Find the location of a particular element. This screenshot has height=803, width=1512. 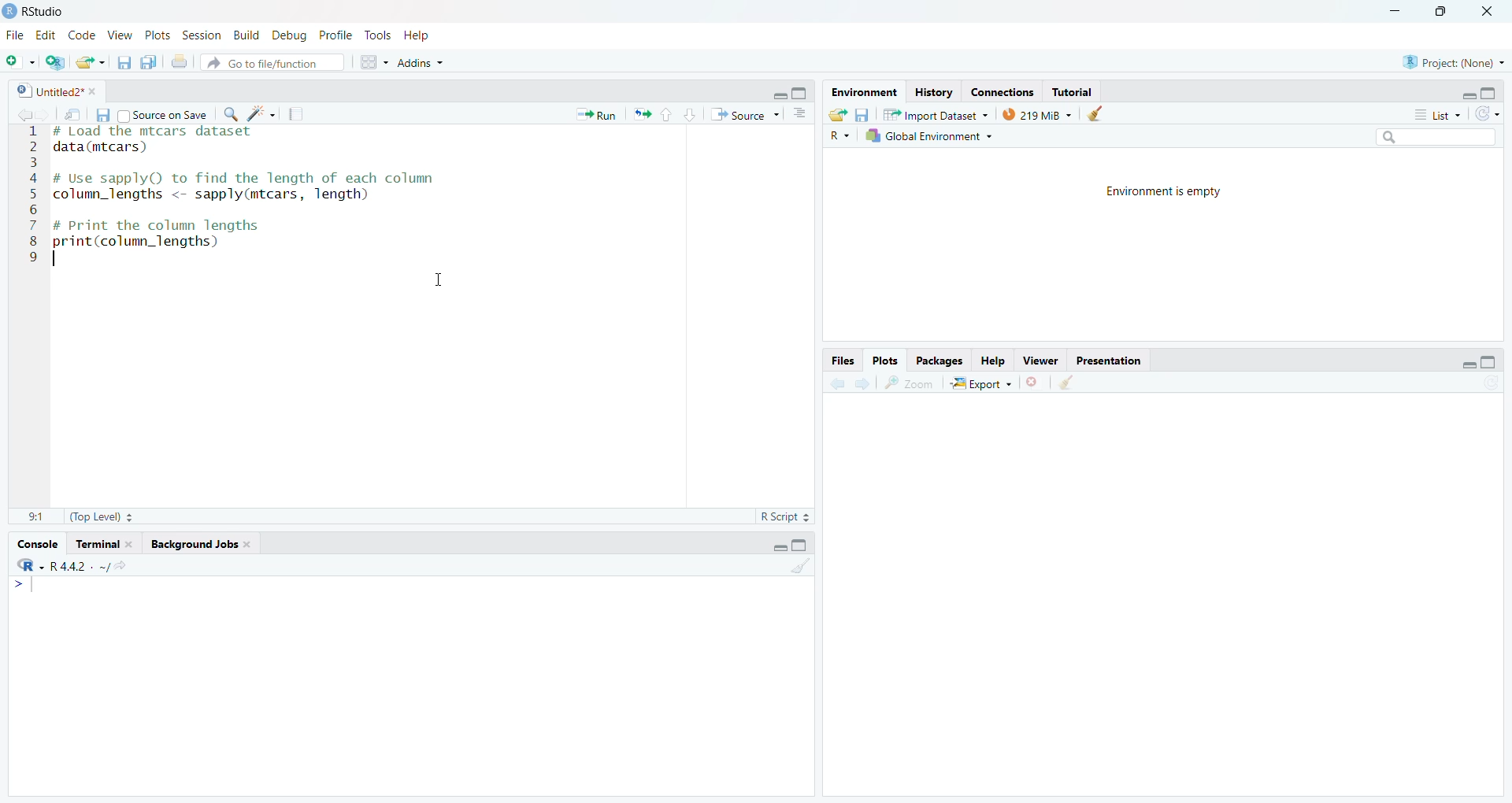

Addins ~ is located at coordinates (421, 63).